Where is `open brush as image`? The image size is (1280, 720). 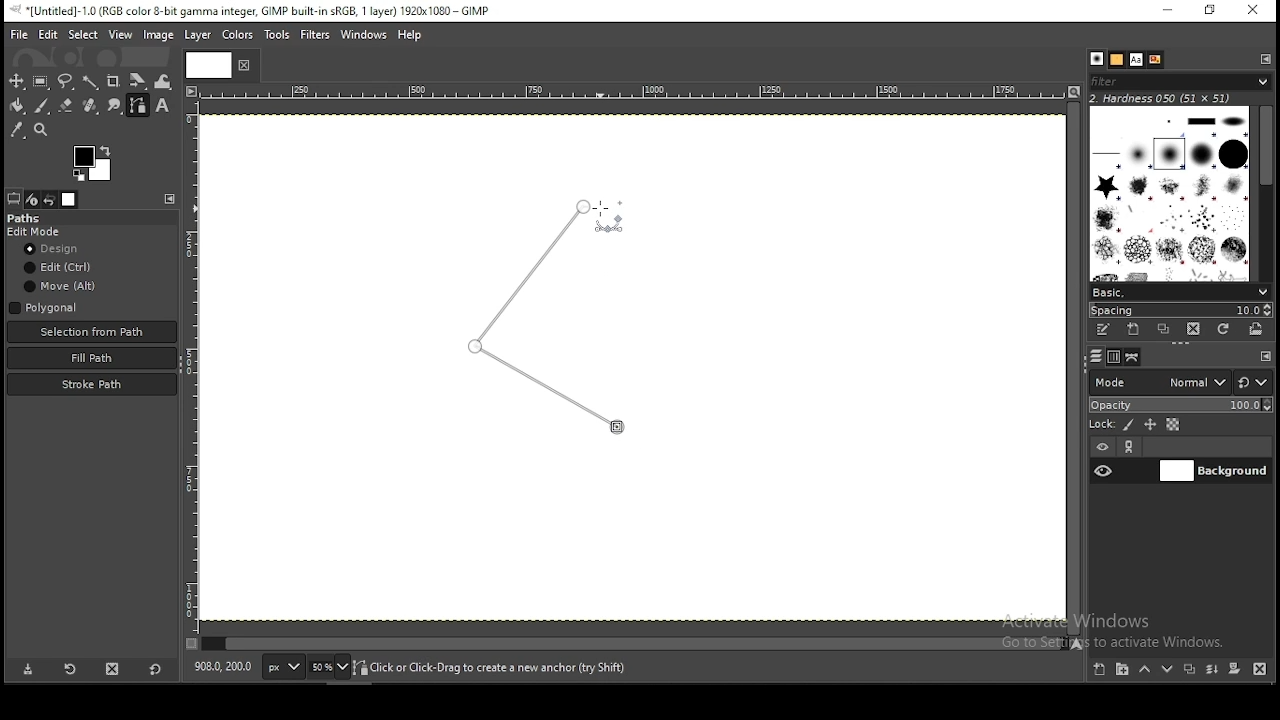
open brush as image is located at coordinates (1255, 331).